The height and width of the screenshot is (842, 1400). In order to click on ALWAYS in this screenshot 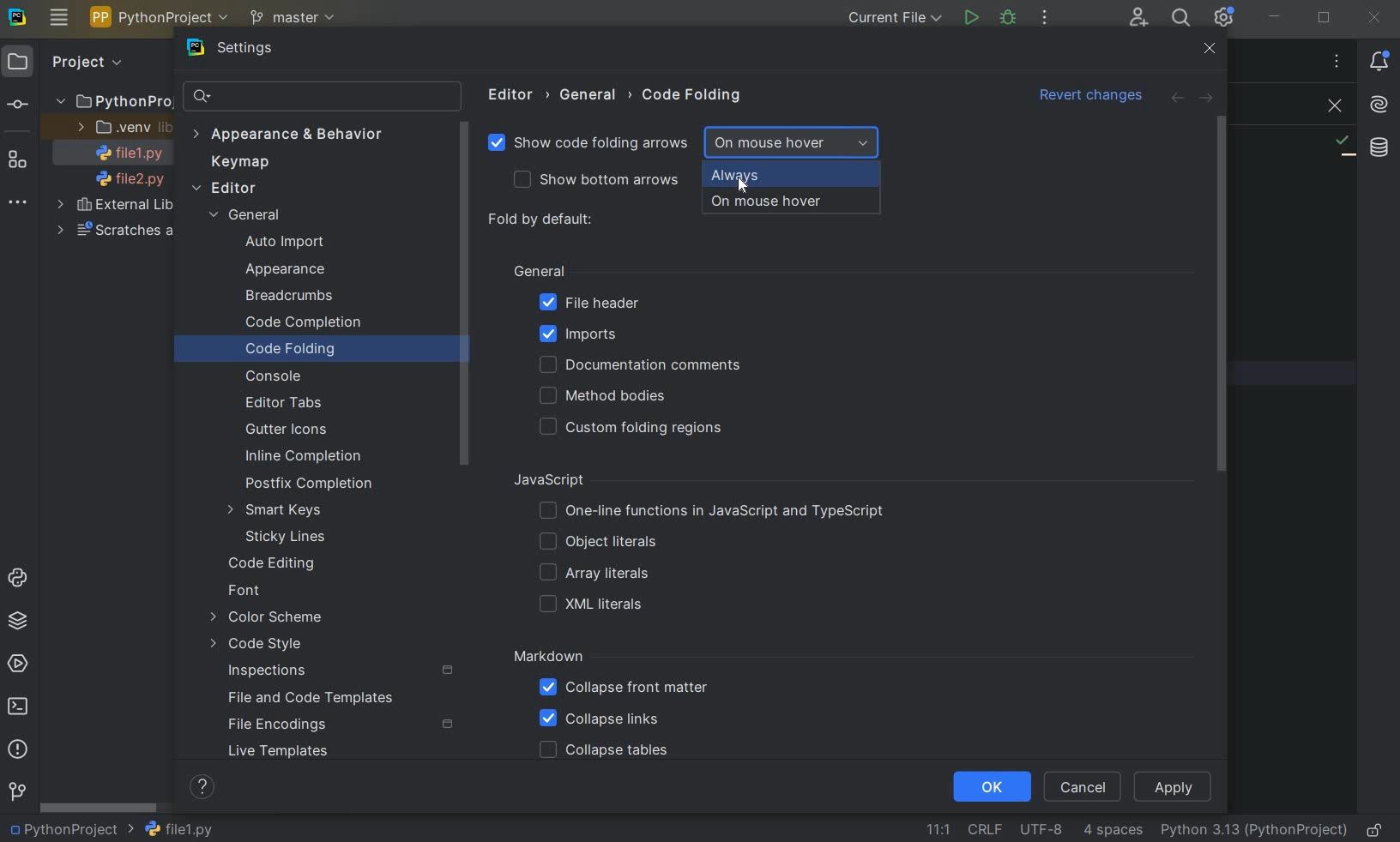, I will do `click(790, 176)`.